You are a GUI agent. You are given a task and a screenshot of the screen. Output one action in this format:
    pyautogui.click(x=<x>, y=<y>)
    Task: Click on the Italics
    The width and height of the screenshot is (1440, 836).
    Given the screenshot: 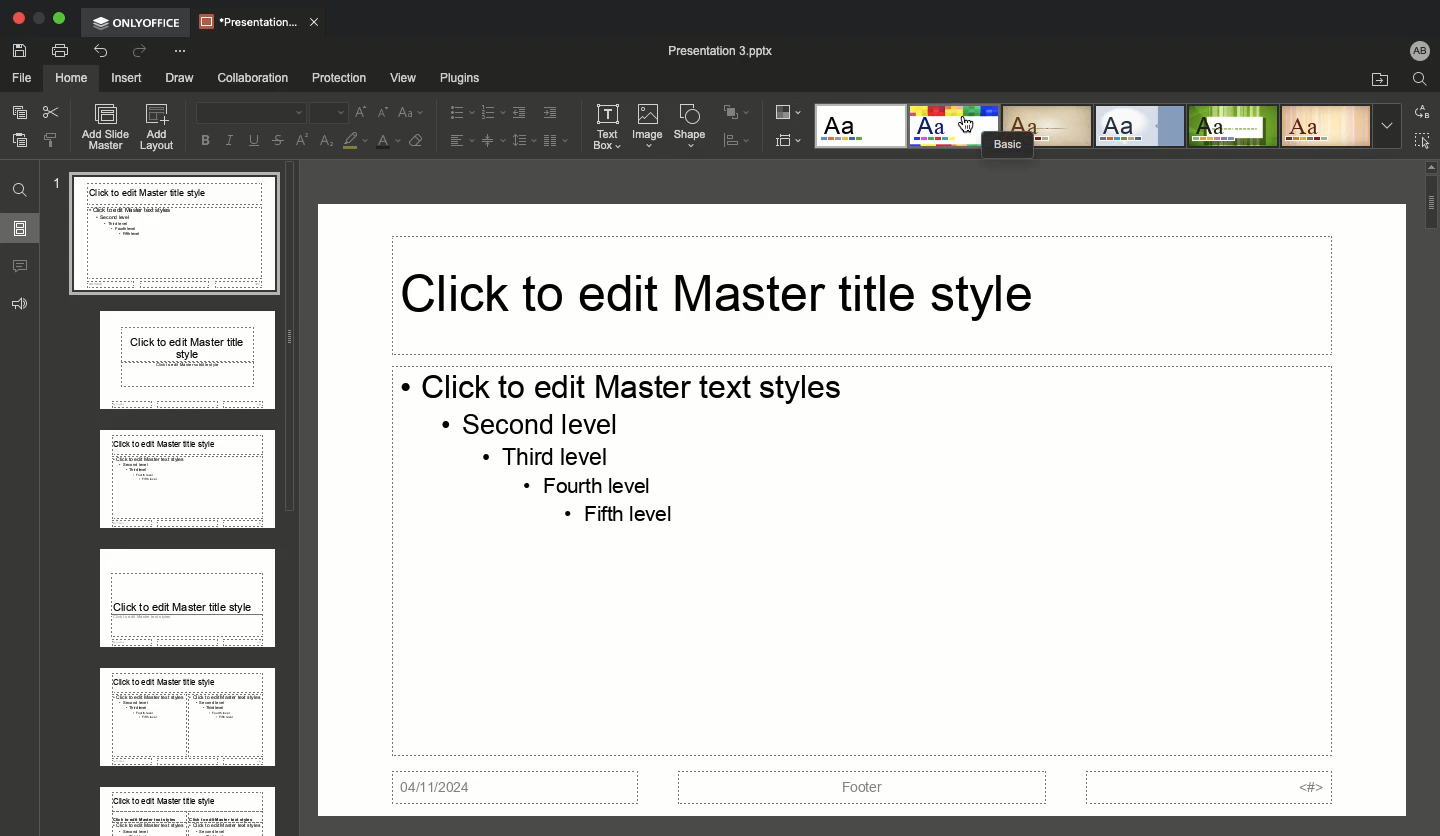 What is the action you would take?
    pyautogui.click(x=232, y=138)
    